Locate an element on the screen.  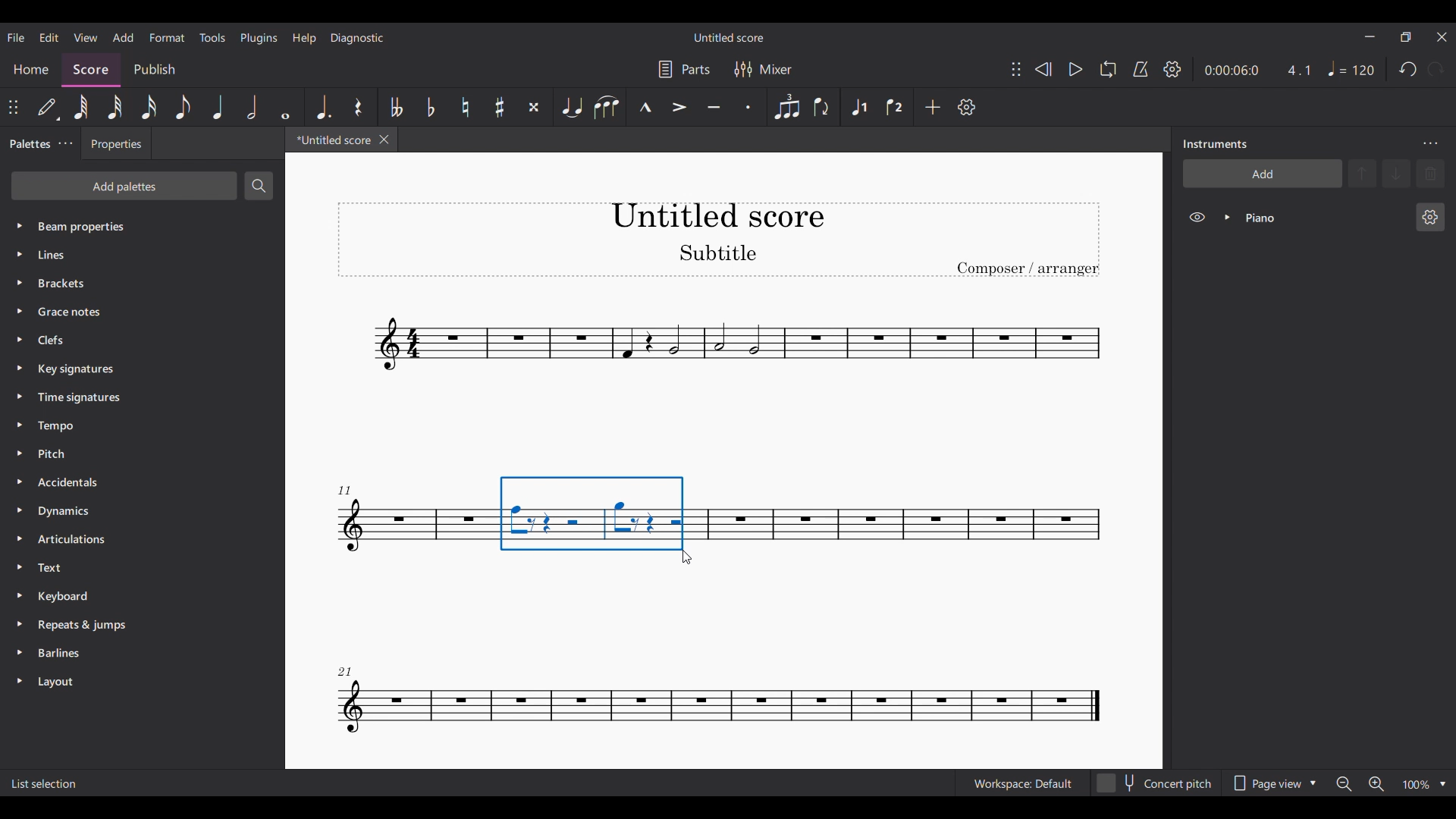
Tempo is located at coordinates (1351, 68).